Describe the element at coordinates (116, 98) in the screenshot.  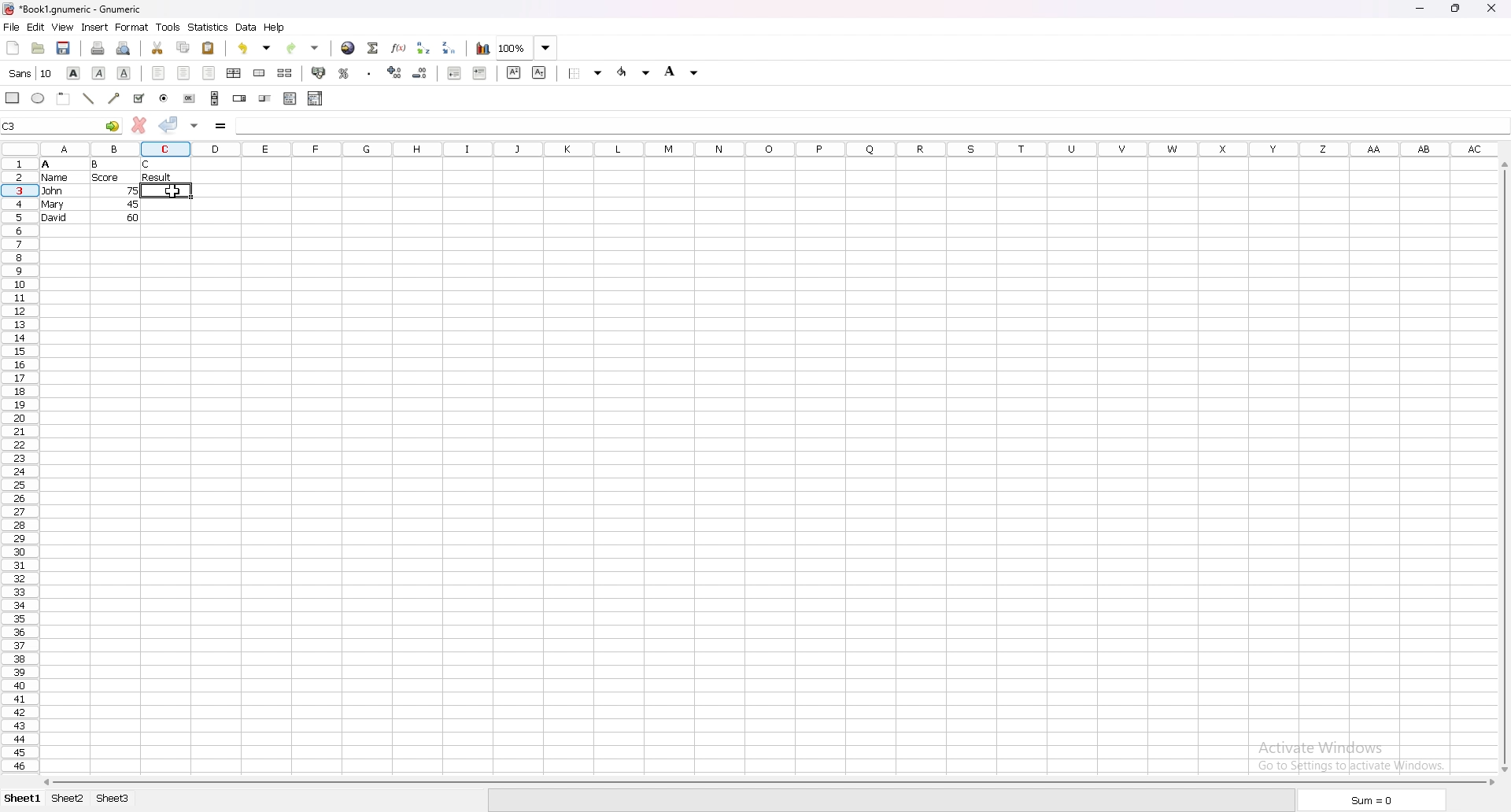
I see `arrowed line` at that location.